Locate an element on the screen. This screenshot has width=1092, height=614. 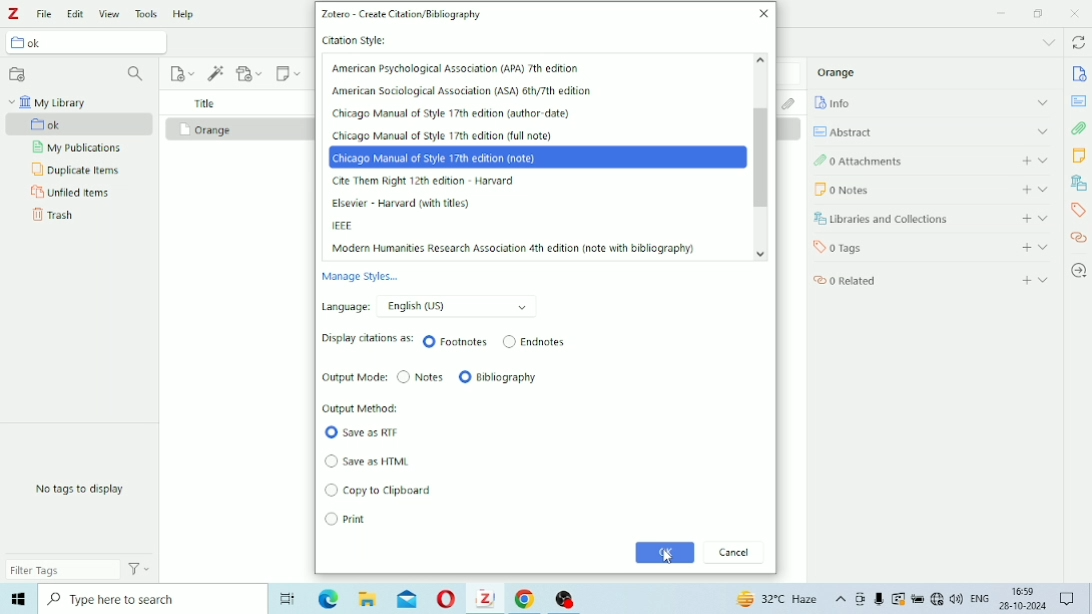
Display citations as: is located at coordinates (369, 340).